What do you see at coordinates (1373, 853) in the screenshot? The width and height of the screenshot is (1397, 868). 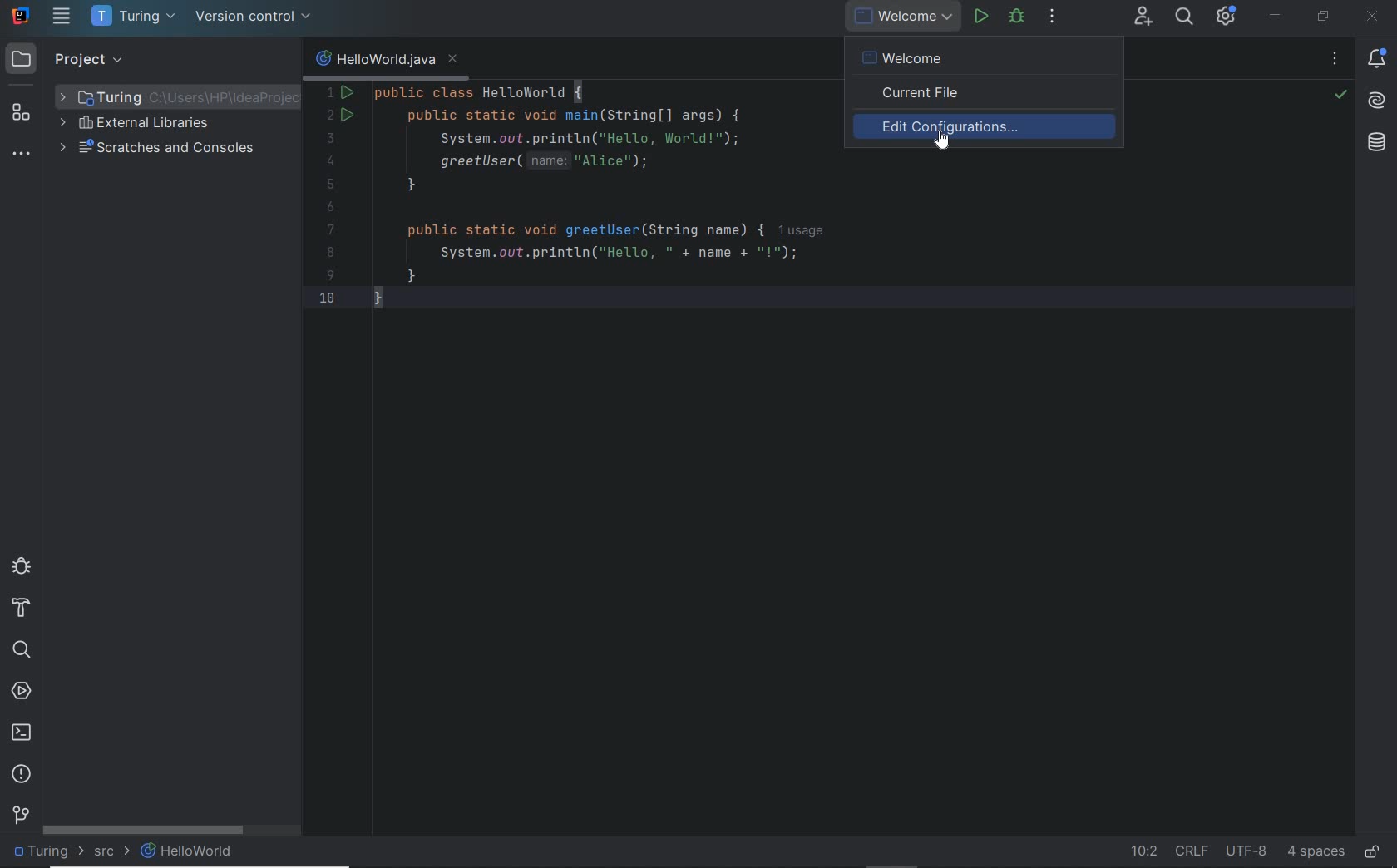 I see `make file ready only` at bounding box center [1373, 853].